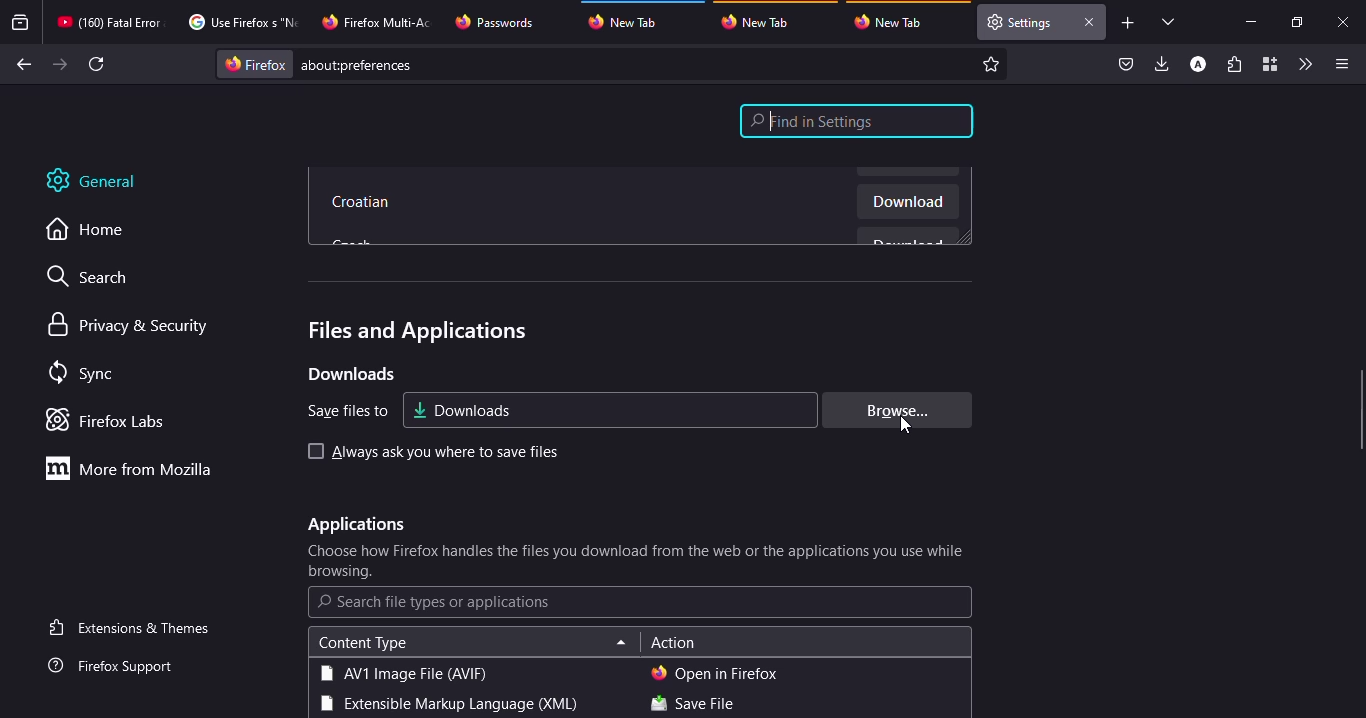  Describe the element at coordinates (85, 374) in the screenshot. I see `sync` at that location.